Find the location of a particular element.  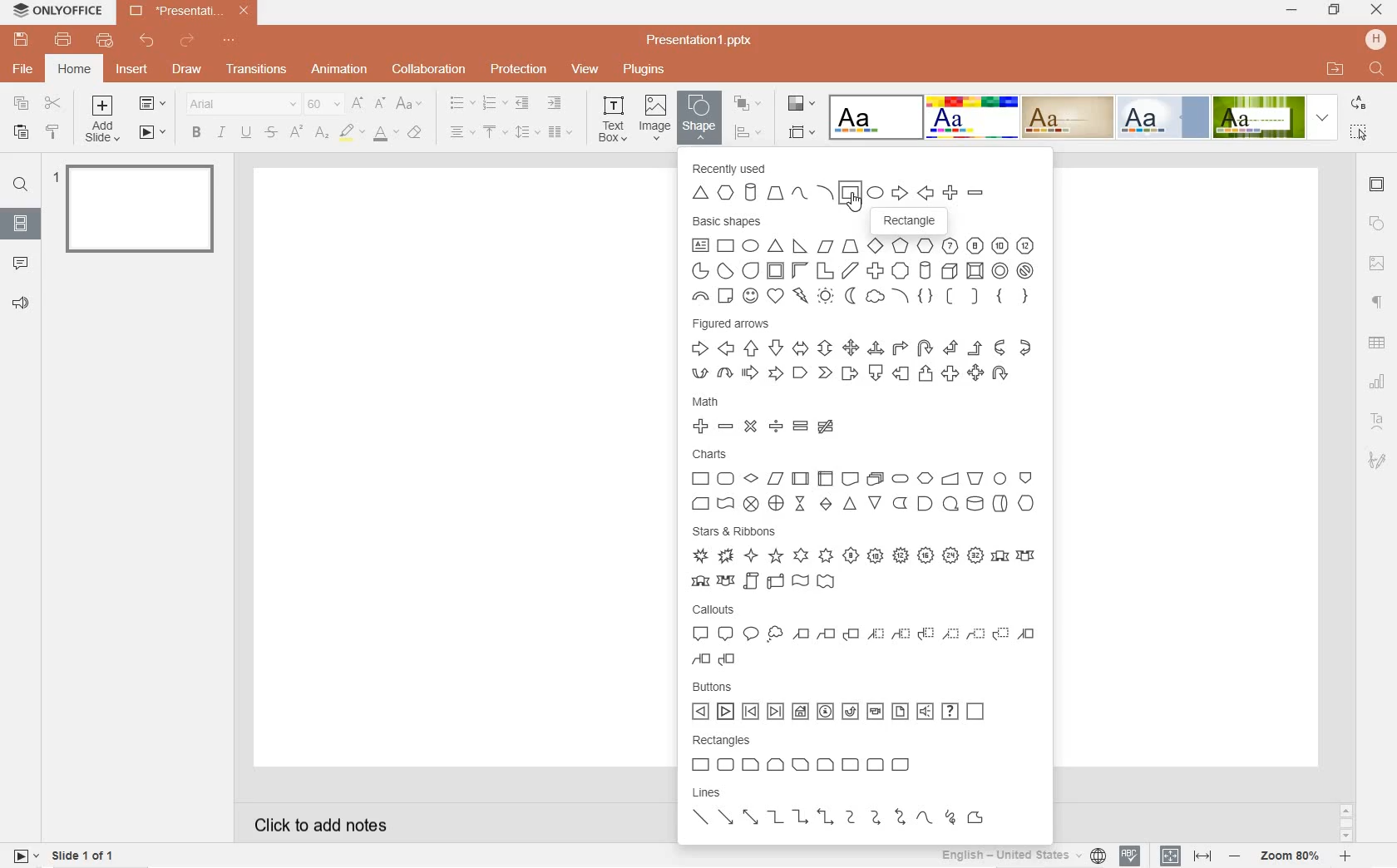

Left right arrow is located at coordinates (802, 348).